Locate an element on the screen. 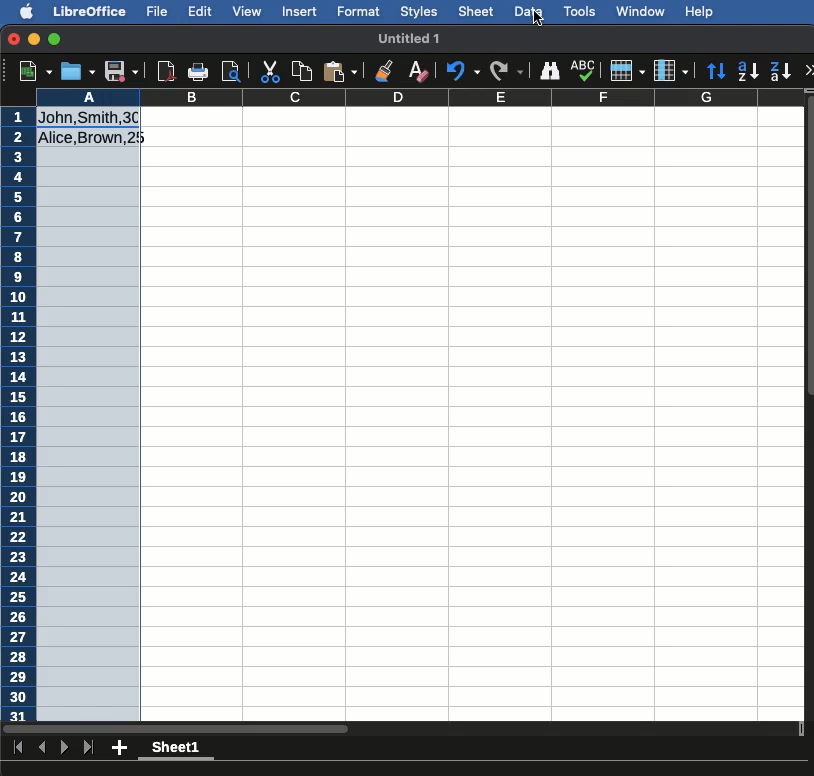  Scroll is located at coordinates (809, 424).